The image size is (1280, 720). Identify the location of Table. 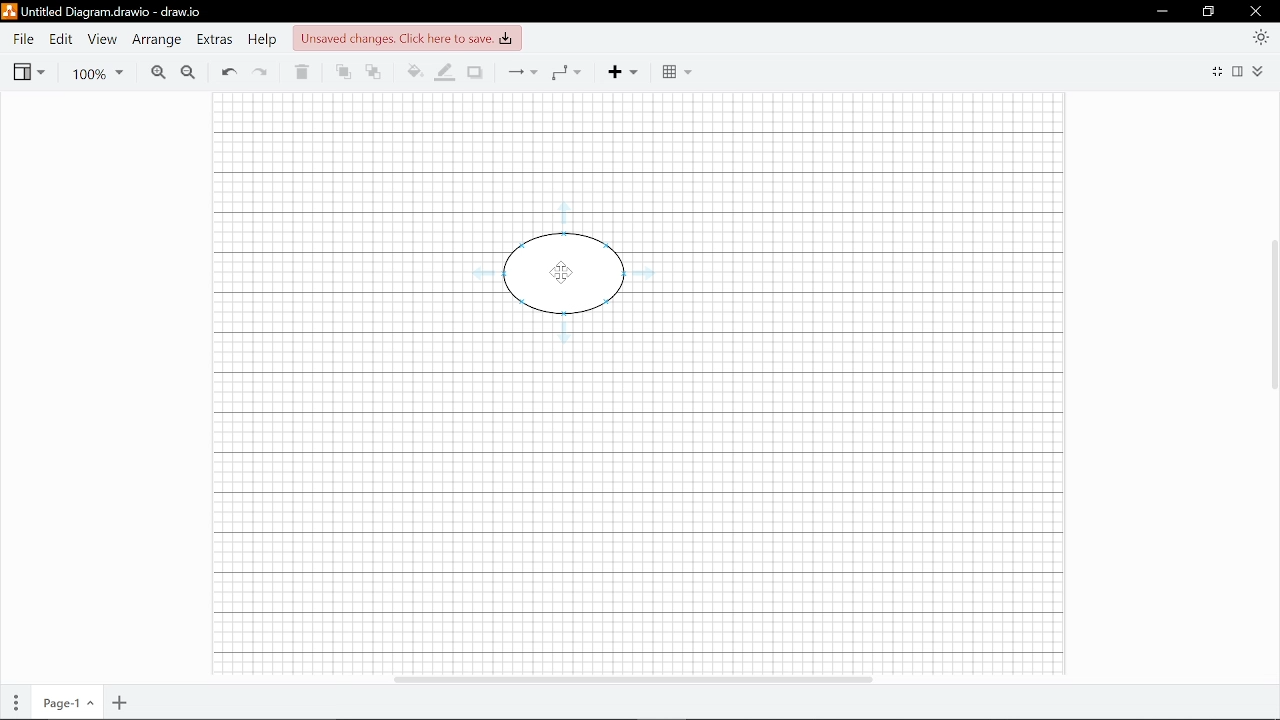
(678, 73).